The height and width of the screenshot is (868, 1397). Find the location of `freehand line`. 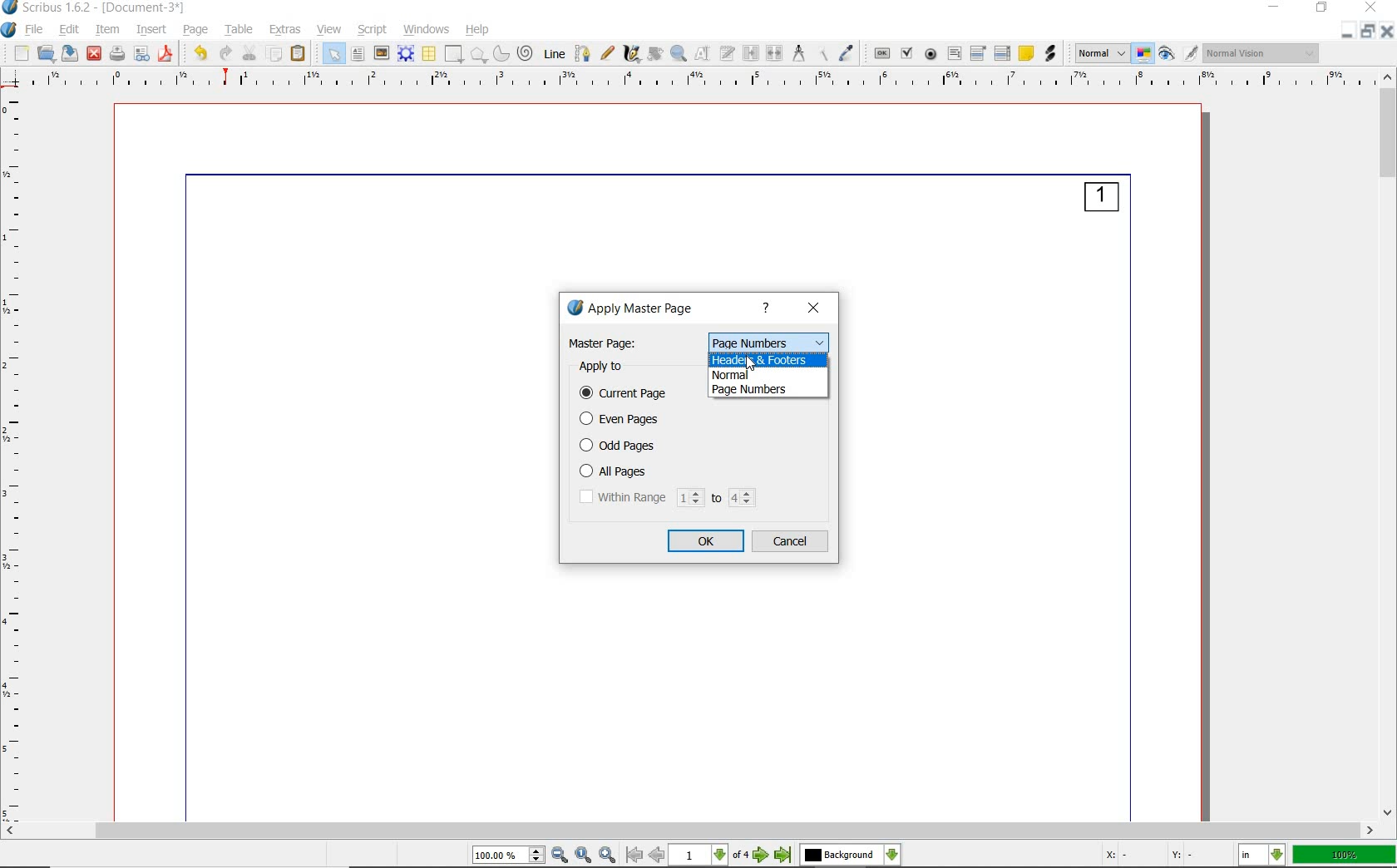

freehand line is located at coordinates (607, 54).